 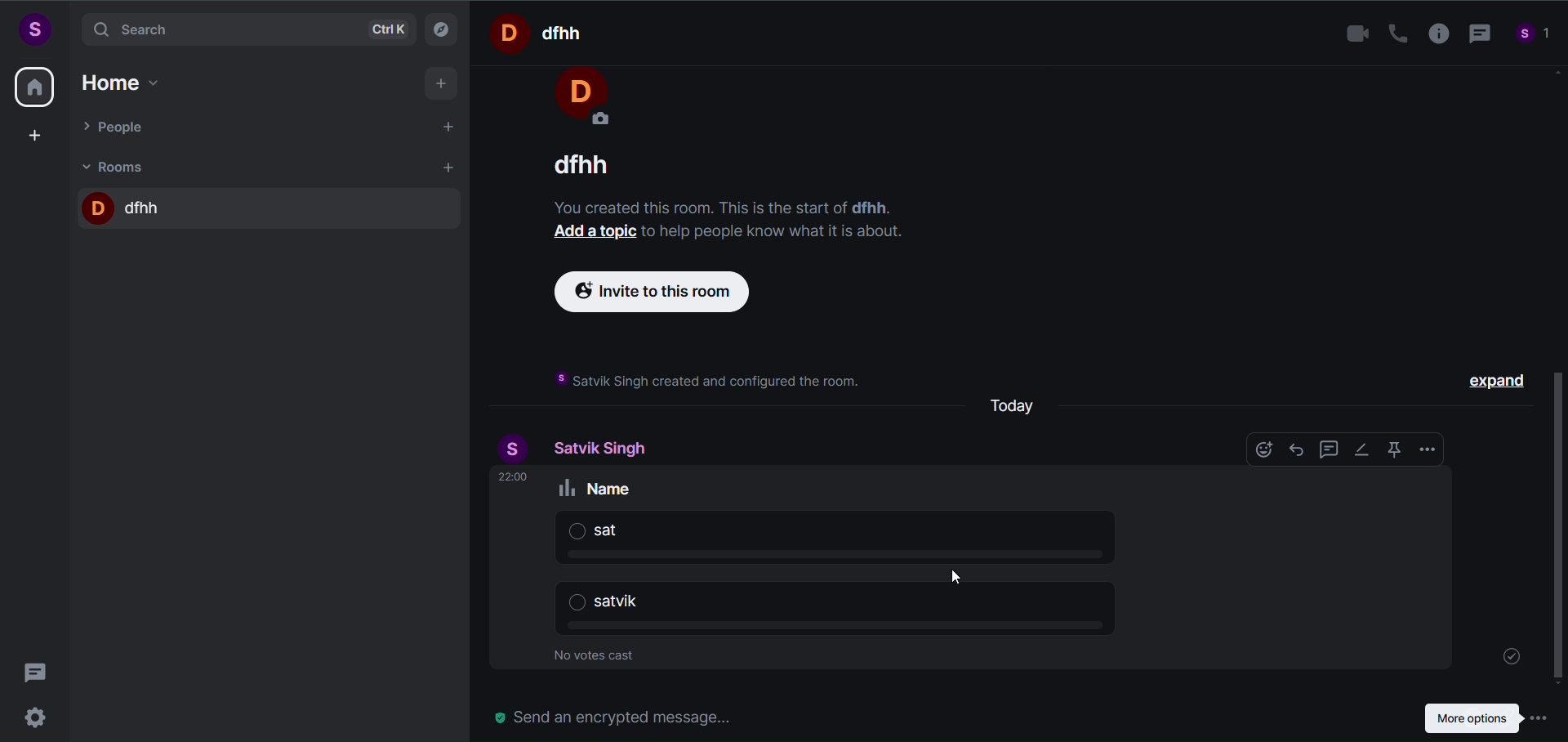 What do you see at coordinates (1325, 451) in the screenshot?
I see `reply in thread` at bounding box center [1325, 451].